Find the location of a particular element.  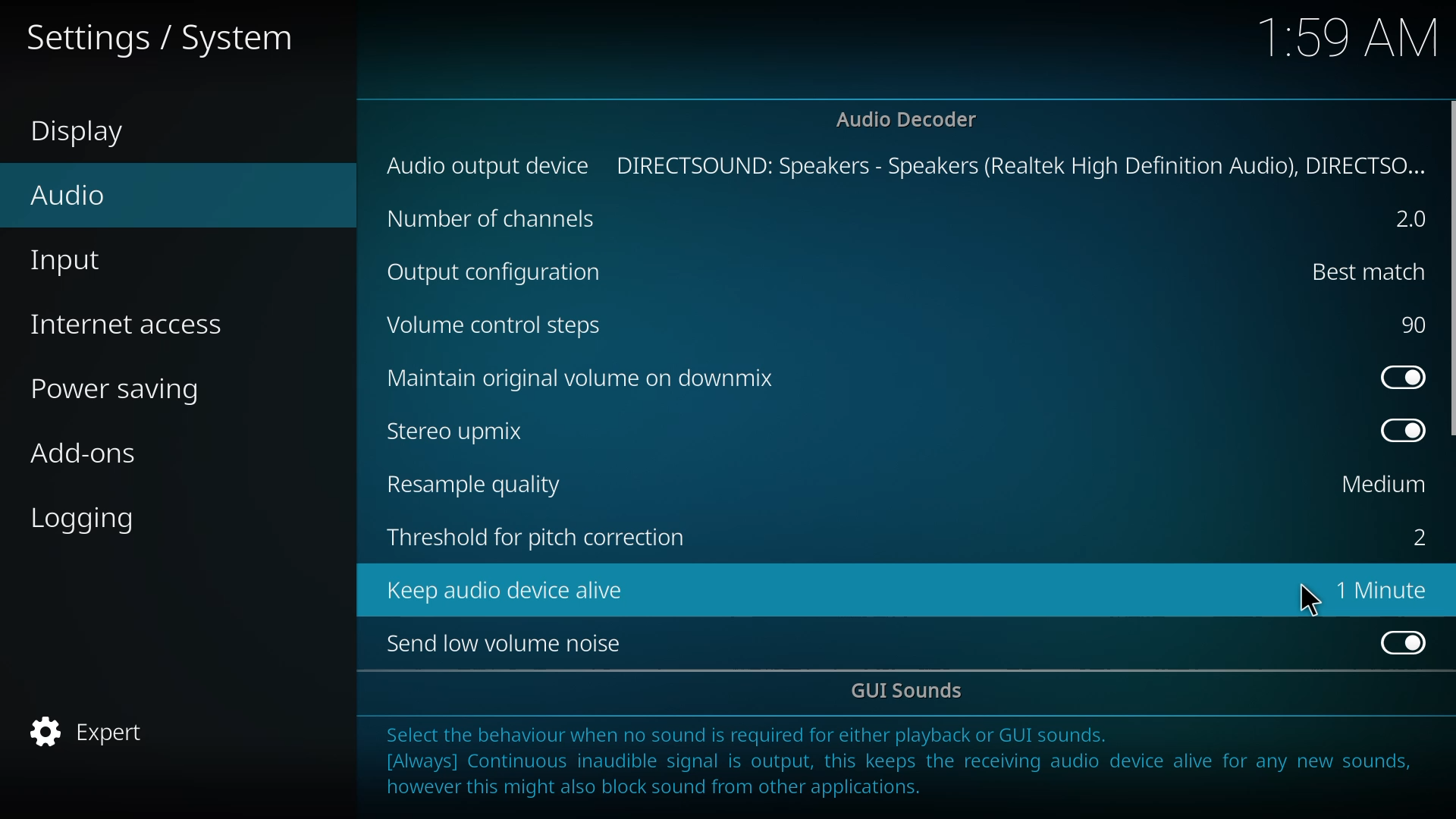

maintain original volume o downmix is located at coordinates (585, 378).